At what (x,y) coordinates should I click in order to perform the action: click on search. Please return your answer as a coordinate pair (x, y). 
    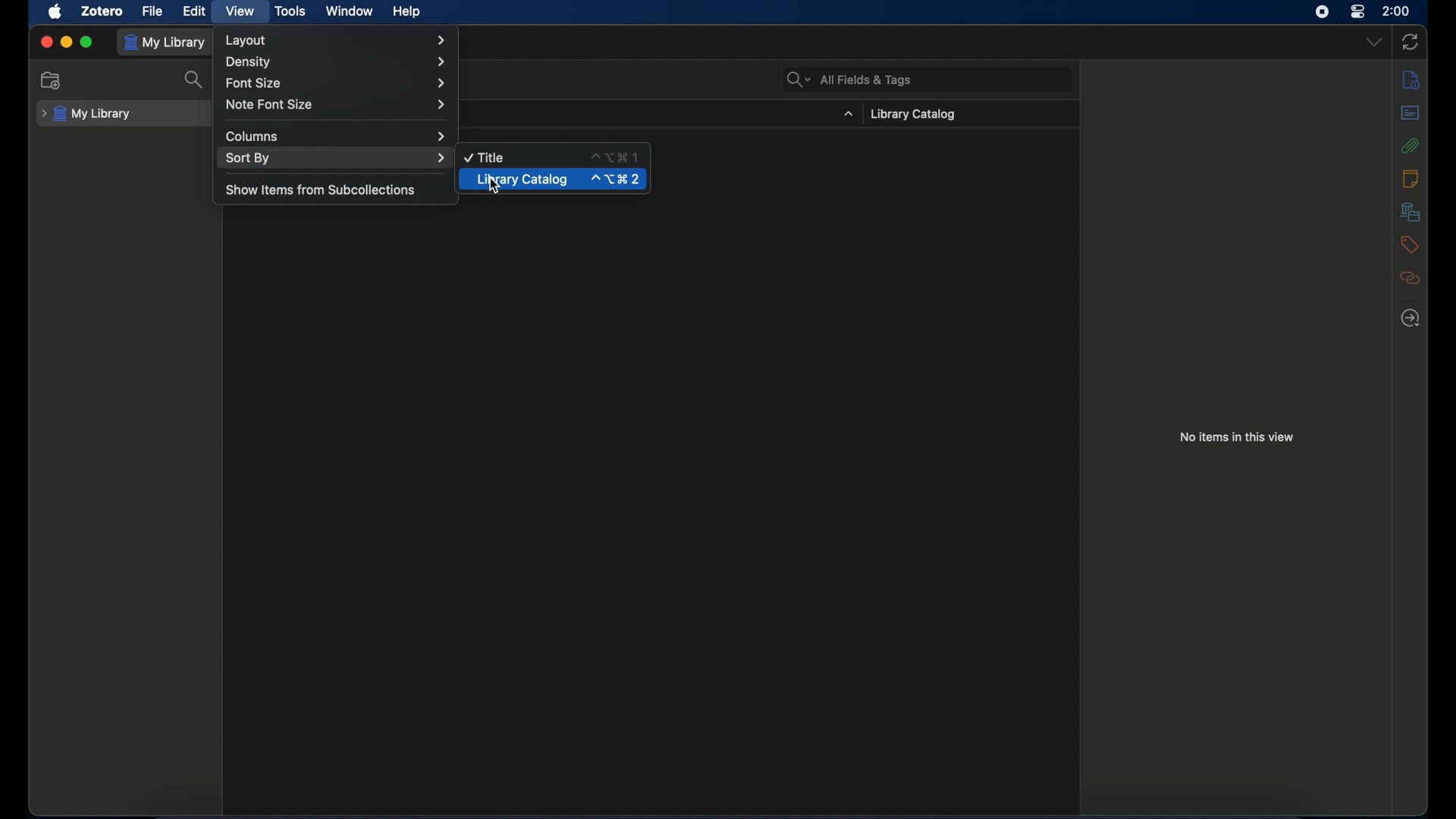
    Looking at the image, I should click on (195, 80).